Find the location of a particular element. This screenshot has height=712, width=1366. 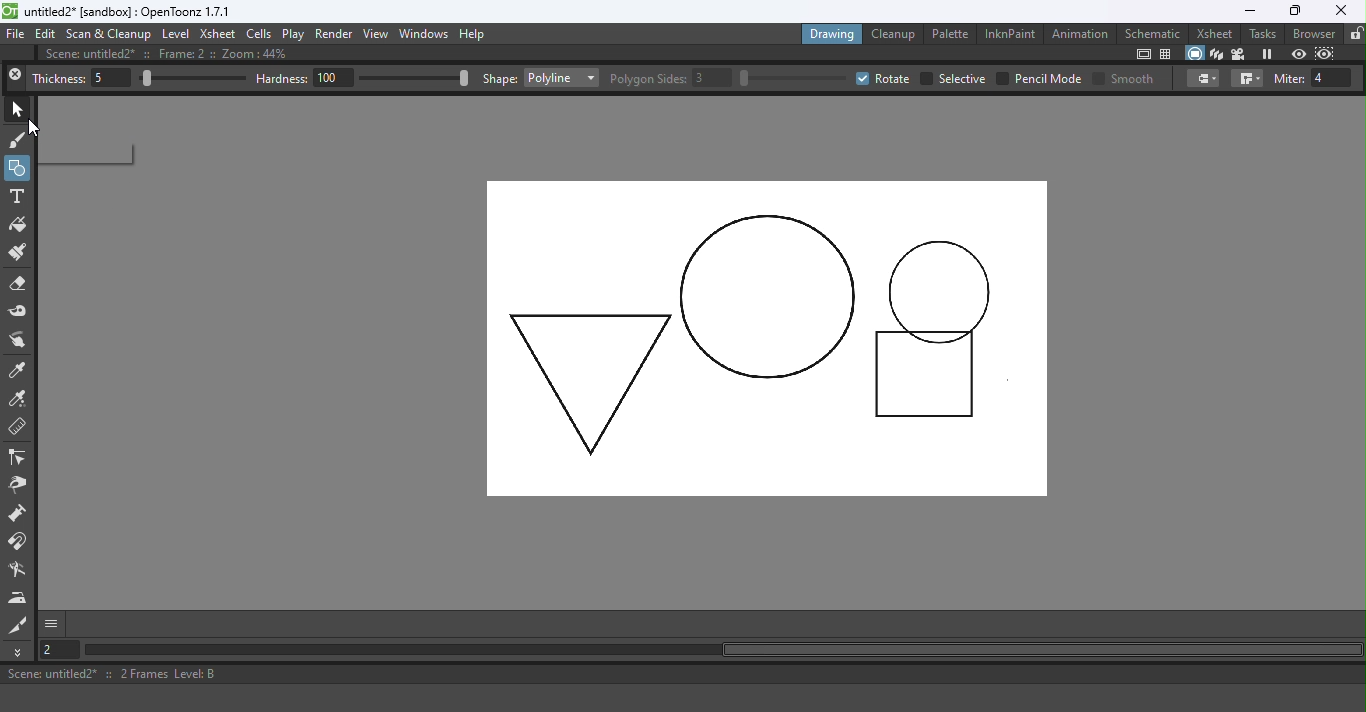

Drawing is located at coordinates (832, 33).